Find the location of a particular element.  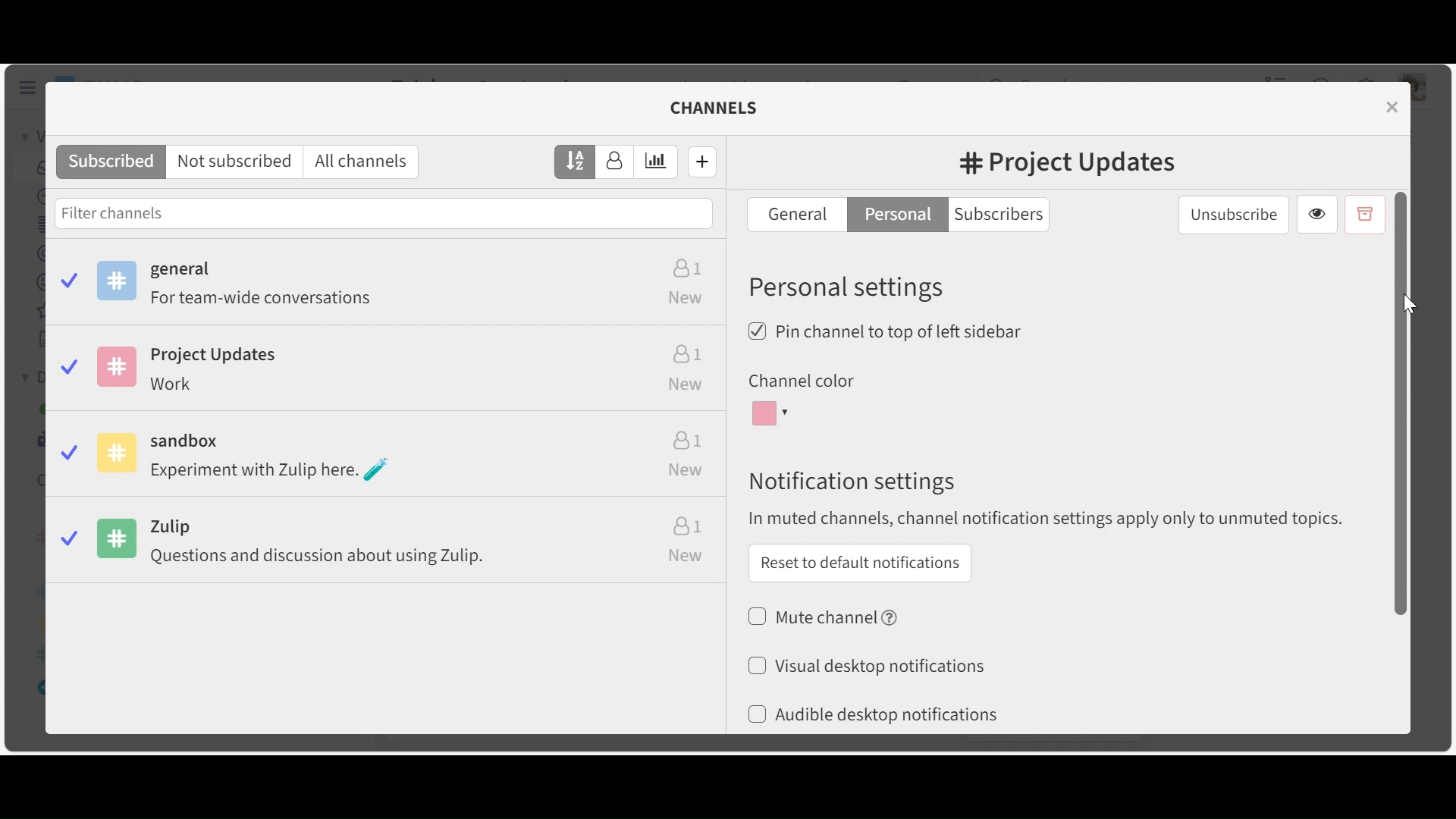

Personal is located at coordinates (897, 213).